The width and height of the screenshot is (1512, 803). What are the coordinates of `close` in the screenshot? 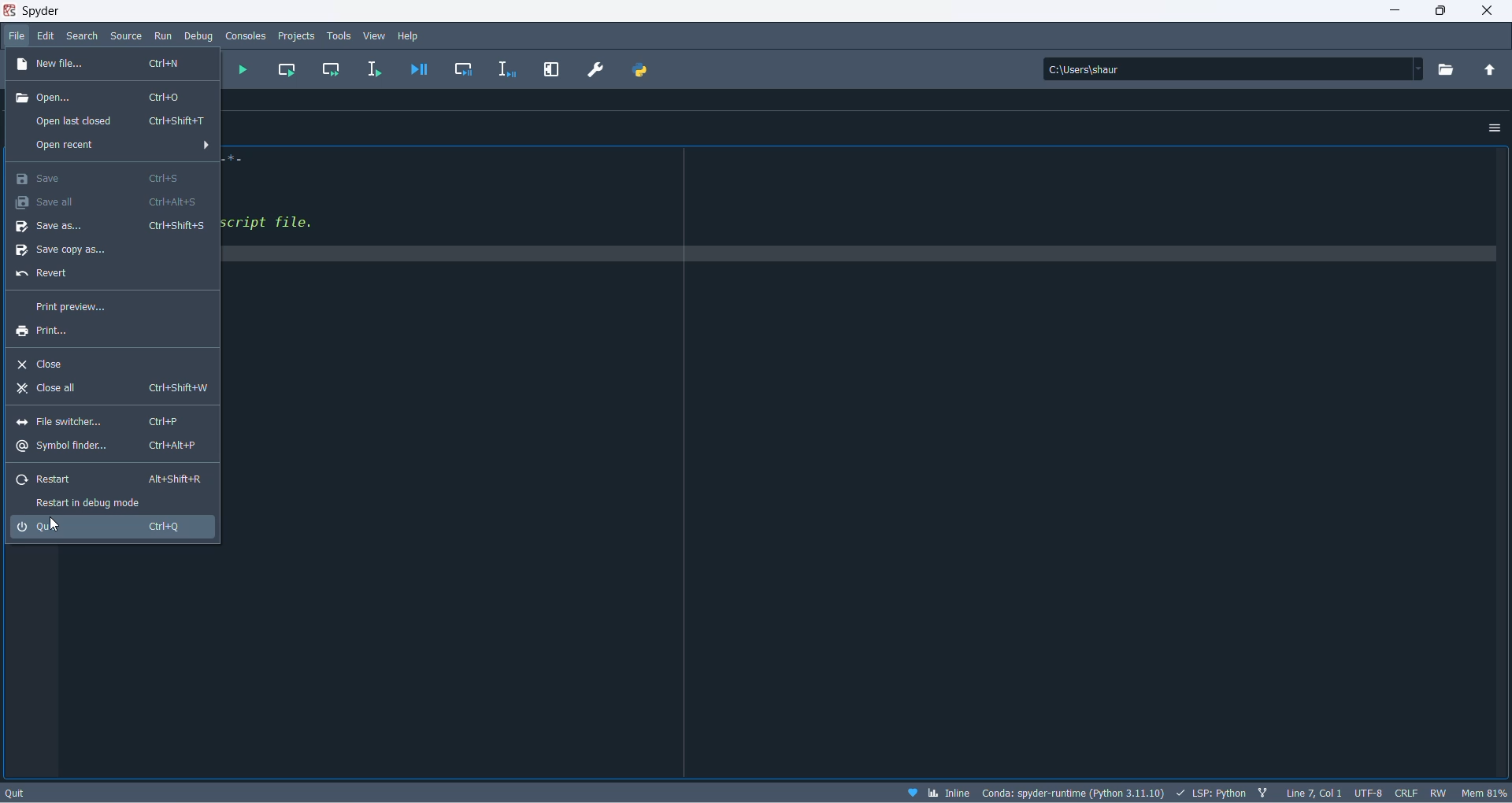 It's located at (1490, 12).